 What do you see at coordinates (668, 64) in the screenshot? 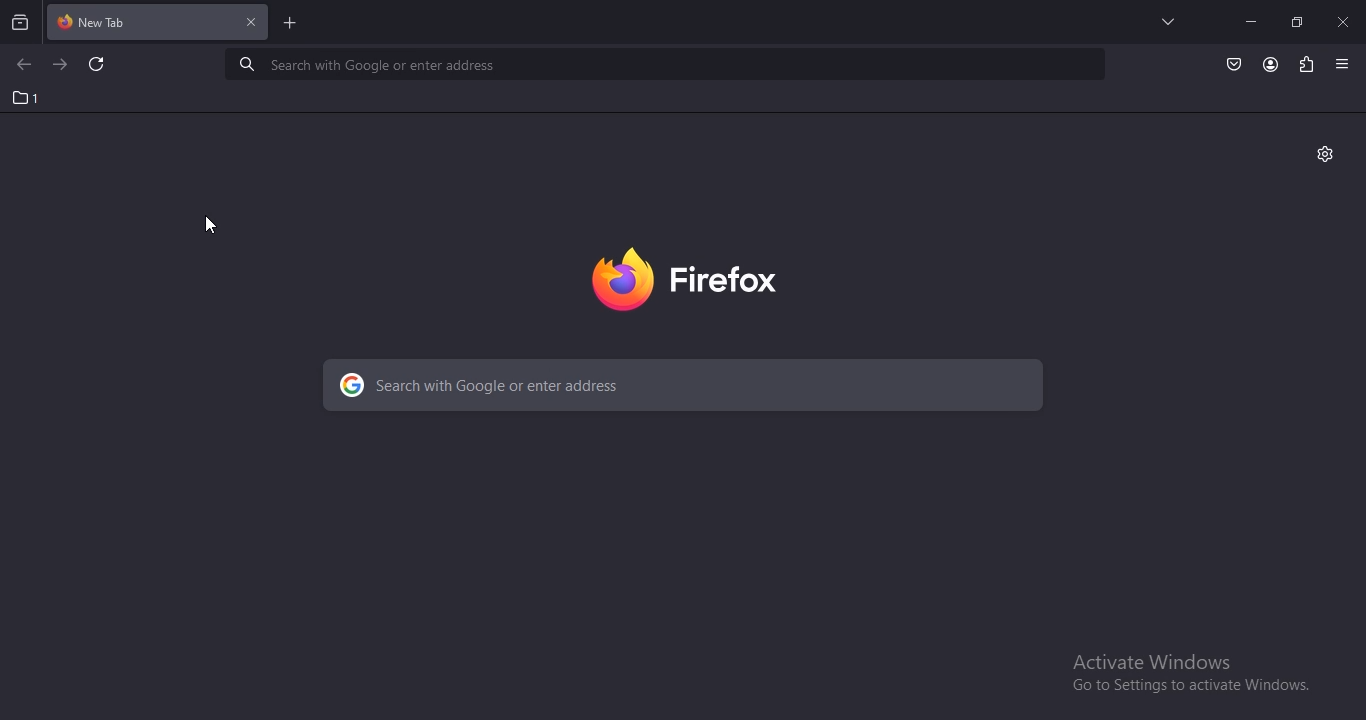
I see `search` at bounding box center [668, 64].